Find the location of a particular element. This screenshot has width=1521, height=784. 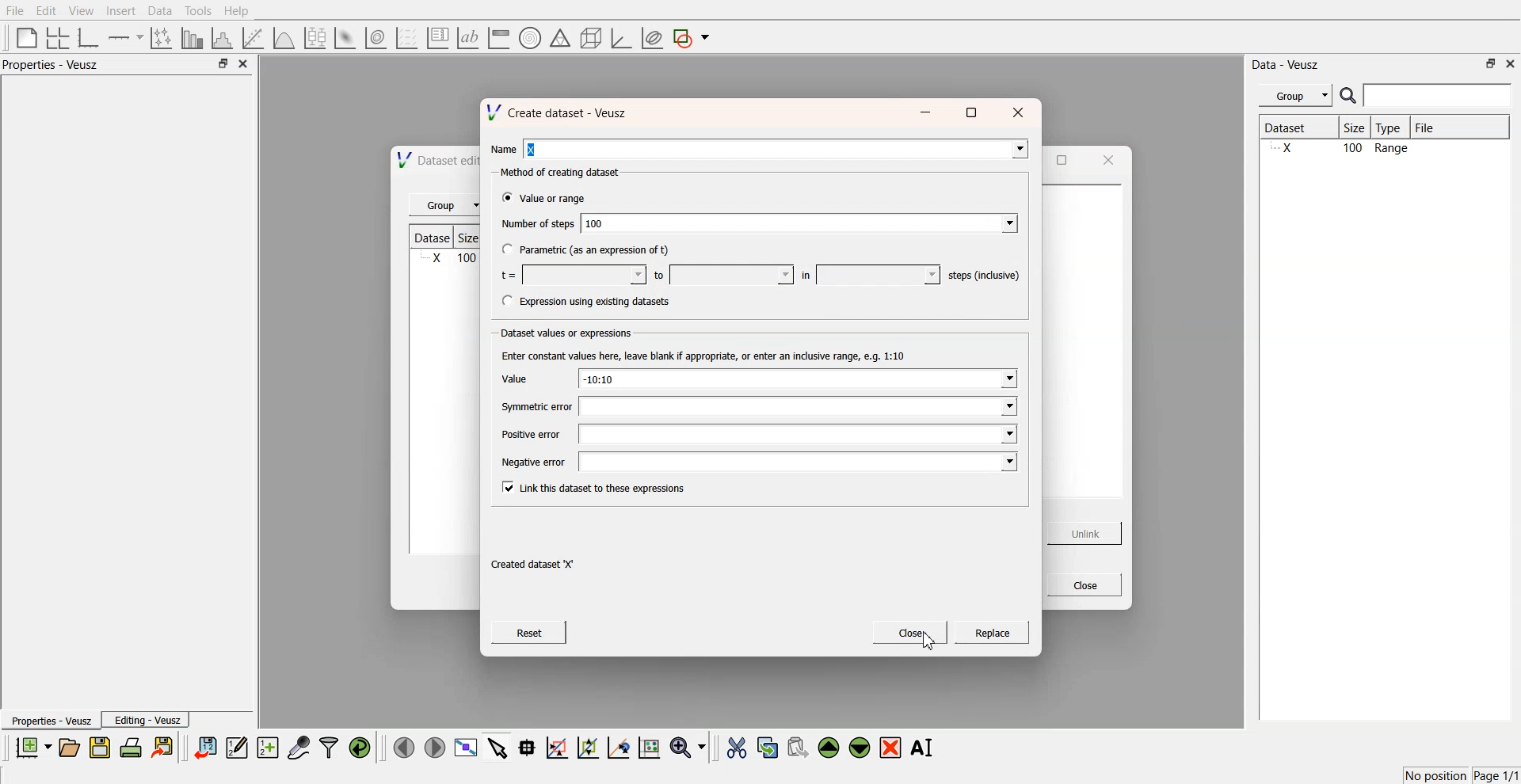

search icon is located at coordinates (1350, 95).